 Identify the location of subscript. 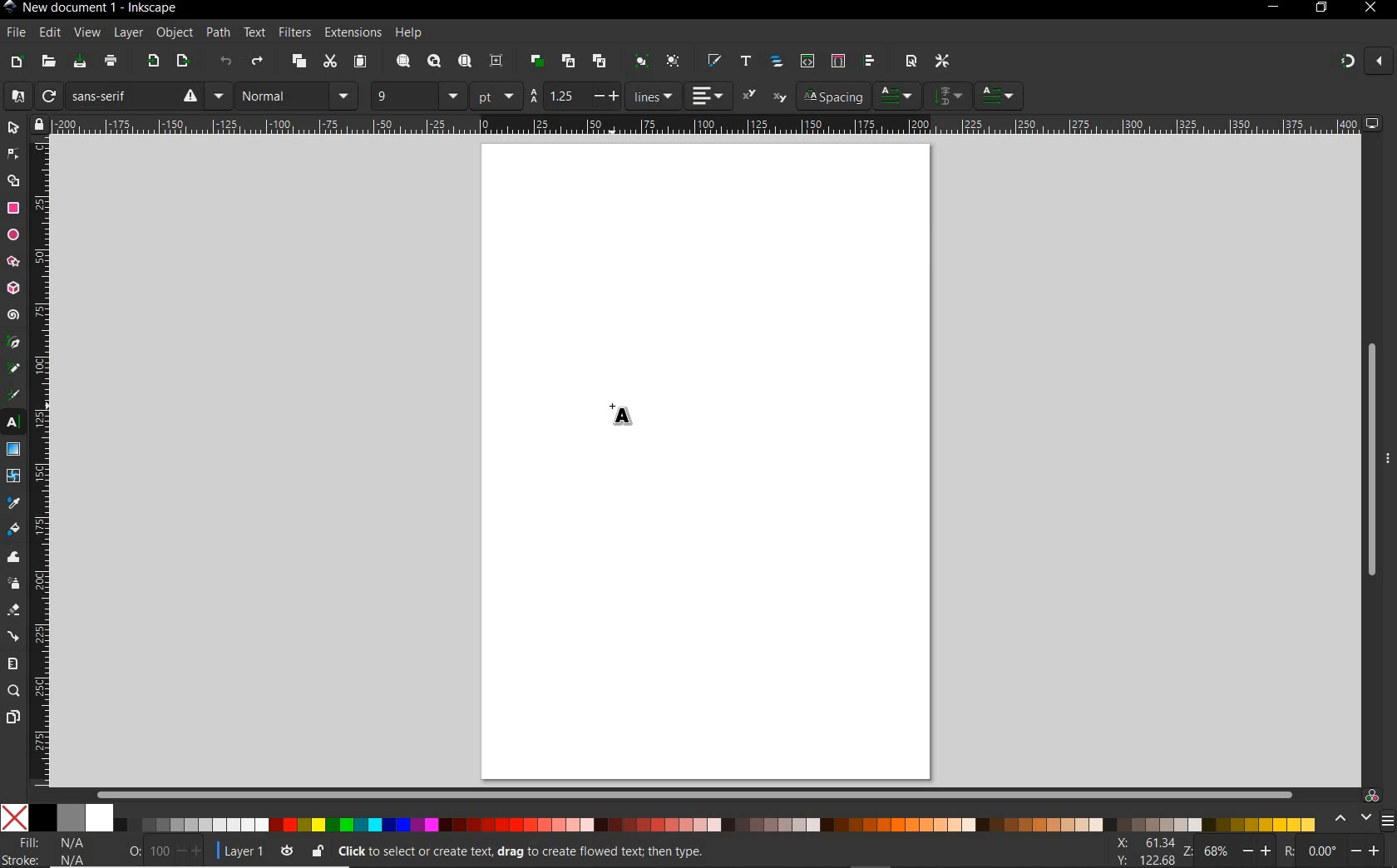
(780, 98).